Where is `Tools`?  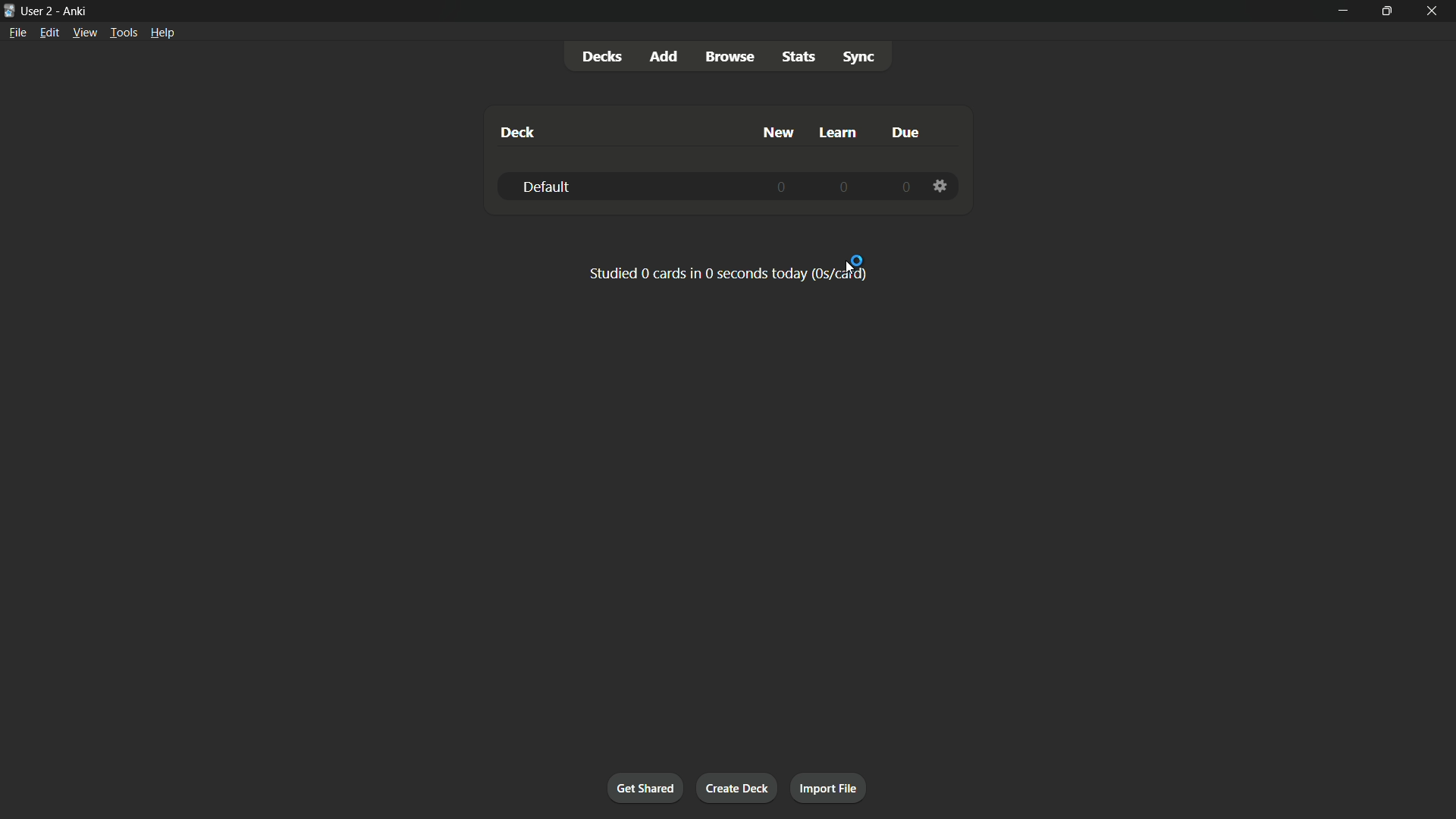
Tools is located at coordinates (122, 32).